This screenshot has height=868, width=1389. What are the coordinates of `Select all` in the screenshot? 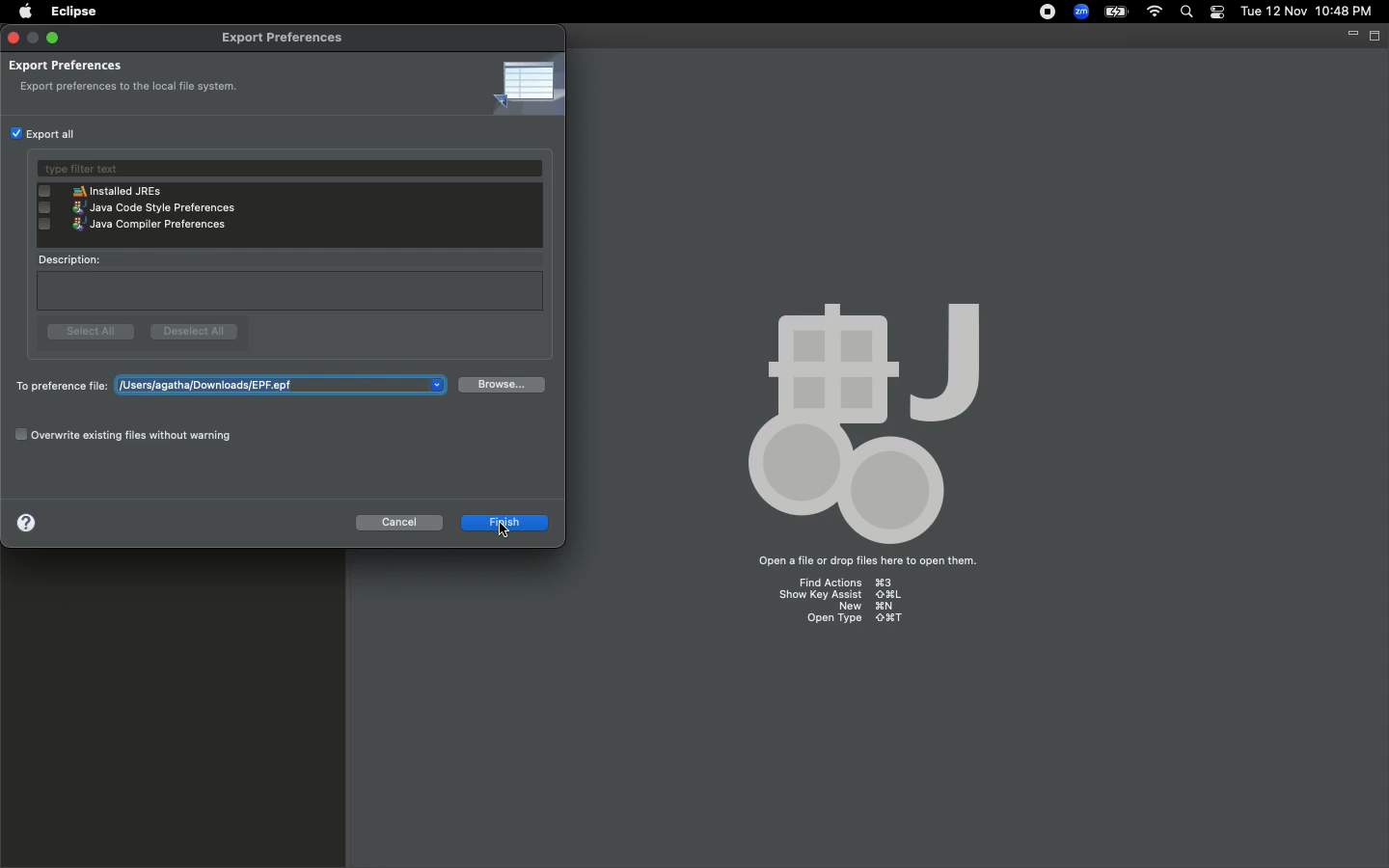 It's located at (91, 331).